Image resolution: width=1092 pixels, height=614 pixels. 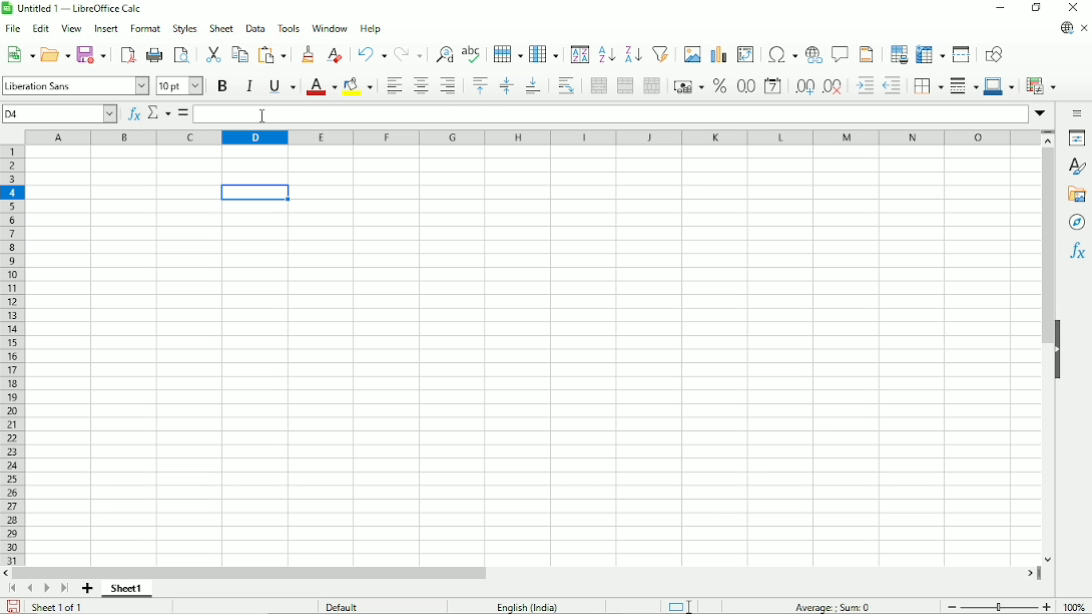 What do you see at coordinates (1042, 113) in the screenshot?
I see `Expand formula bar` at bounding box center [1042, 113].